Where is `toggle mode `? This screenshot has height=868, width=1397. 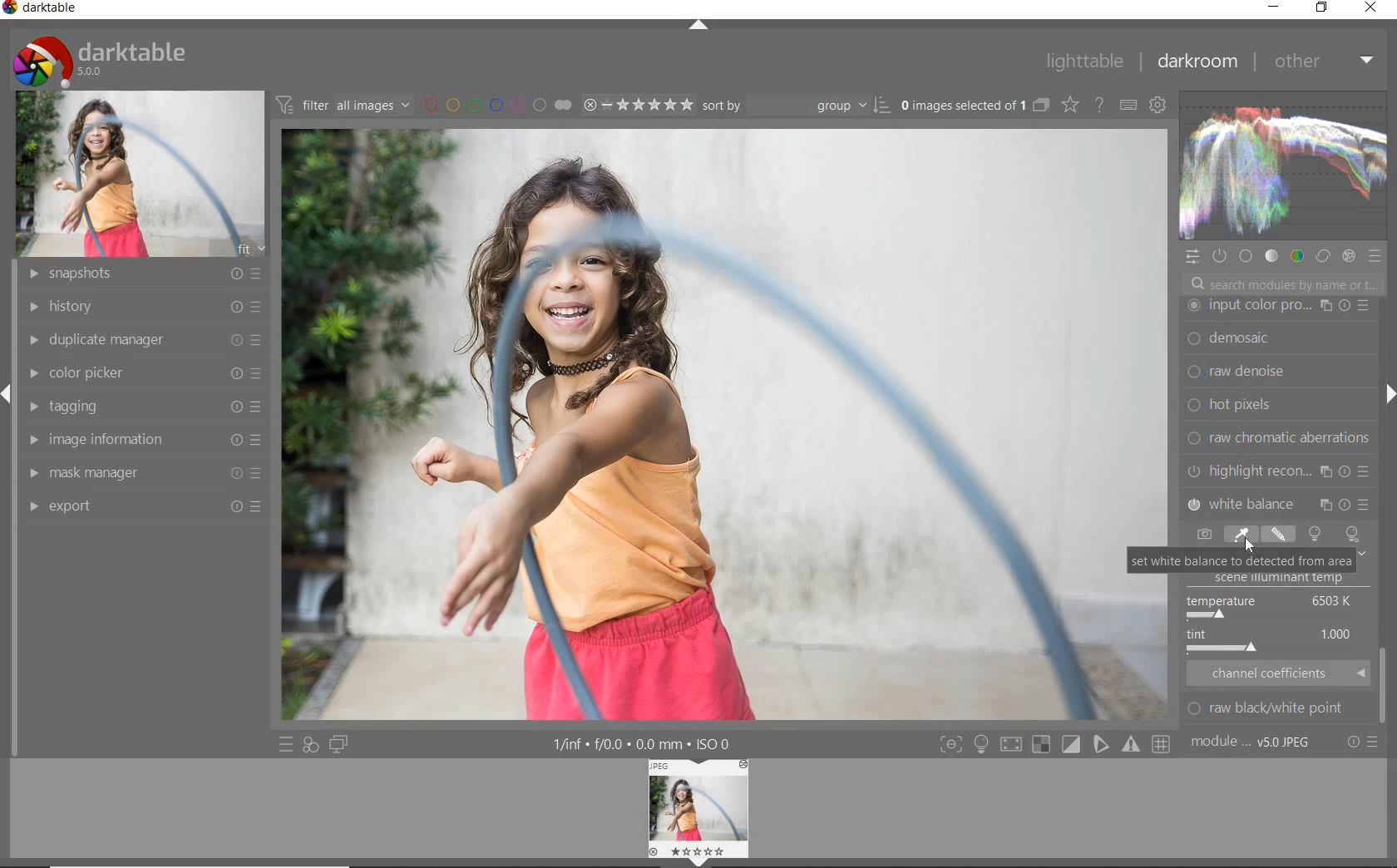 toggle mode  is located at coordinates (1102, 747).